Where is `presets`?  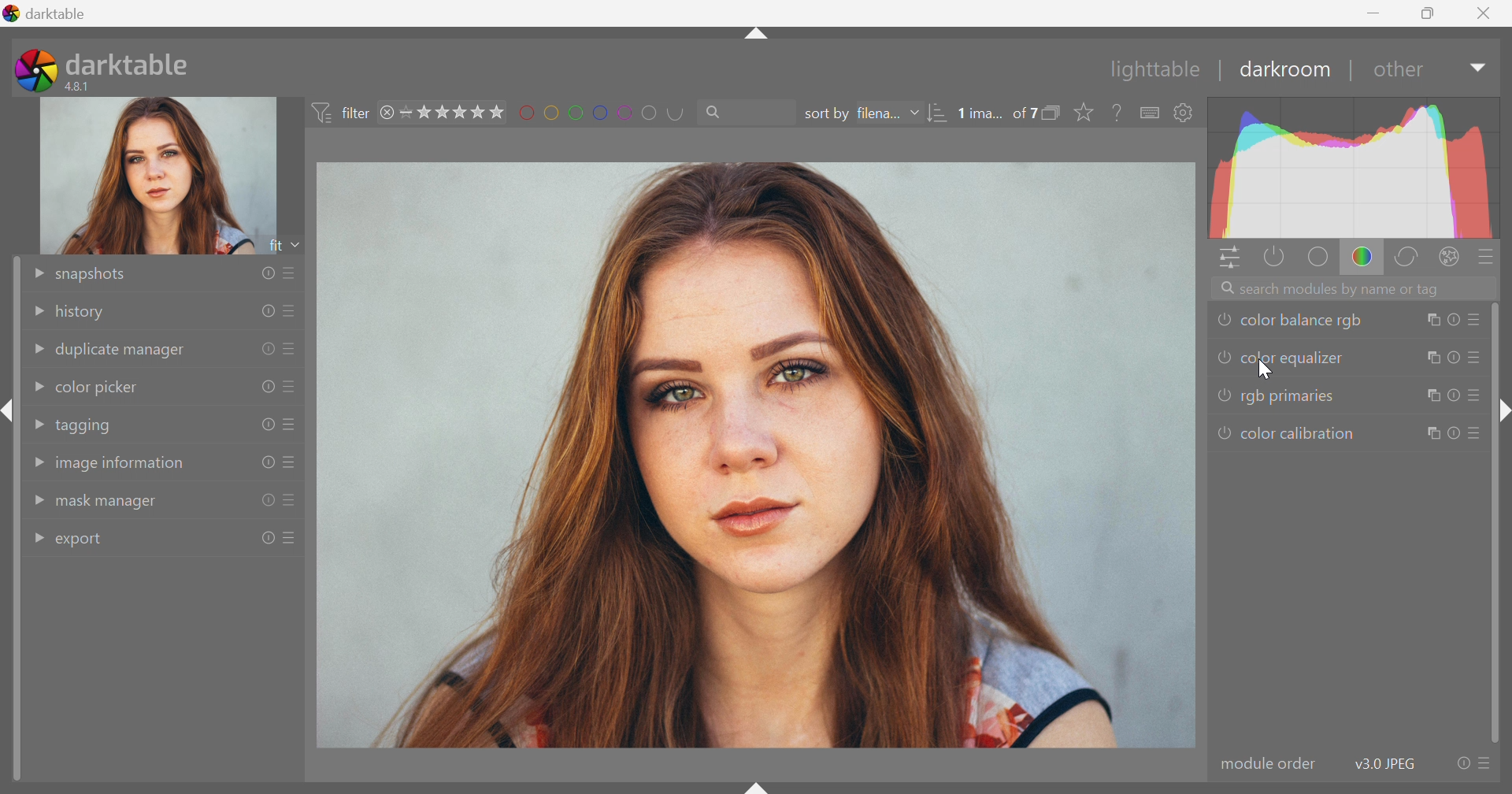 presets is located at coordinates (1478, 358).